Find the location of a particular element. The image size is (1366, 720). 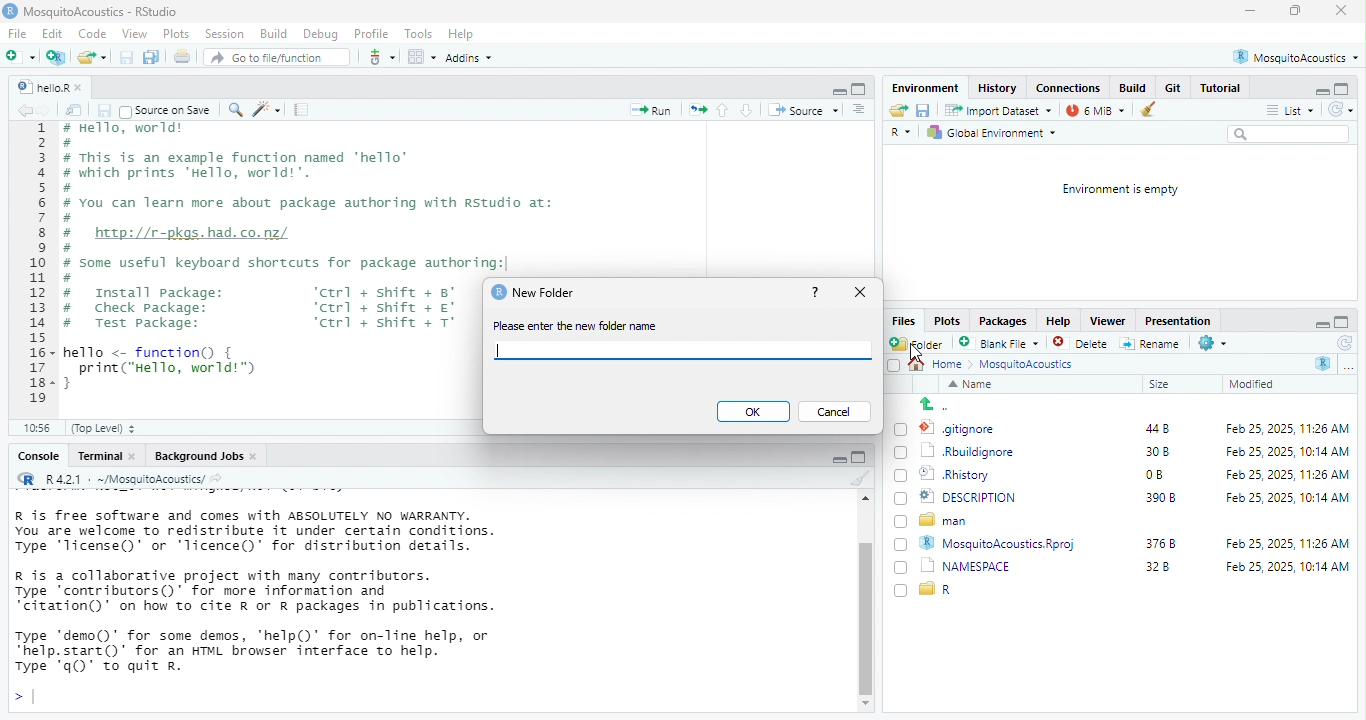

Session is located at coordinates (226, 35).